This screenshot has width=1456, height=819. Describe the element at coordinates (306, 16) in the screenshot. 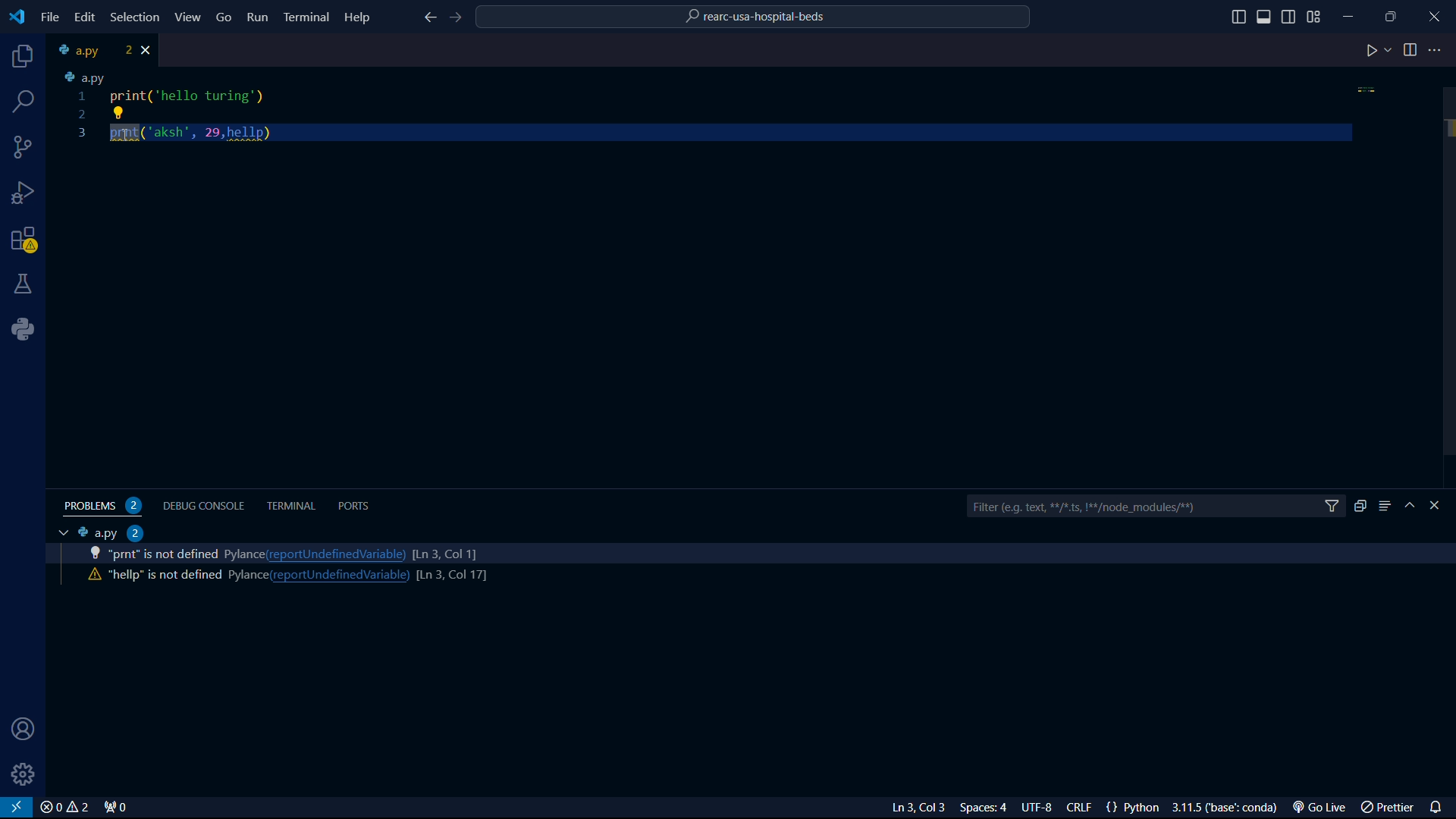

I see `Terminal` at that location.